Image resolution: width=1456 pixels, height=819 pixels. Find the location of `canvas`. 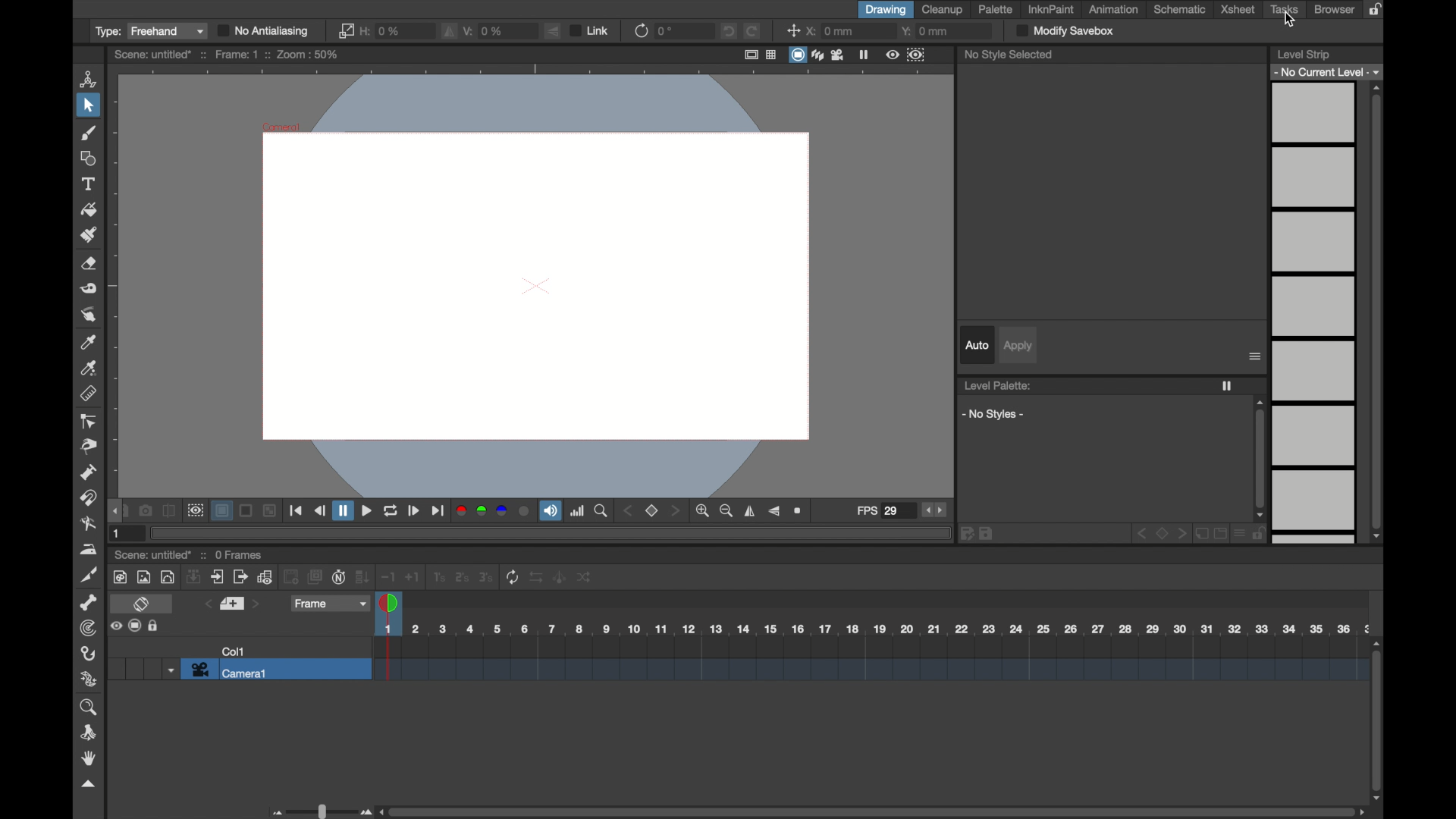

canvas is located at coordinates (535, 284).